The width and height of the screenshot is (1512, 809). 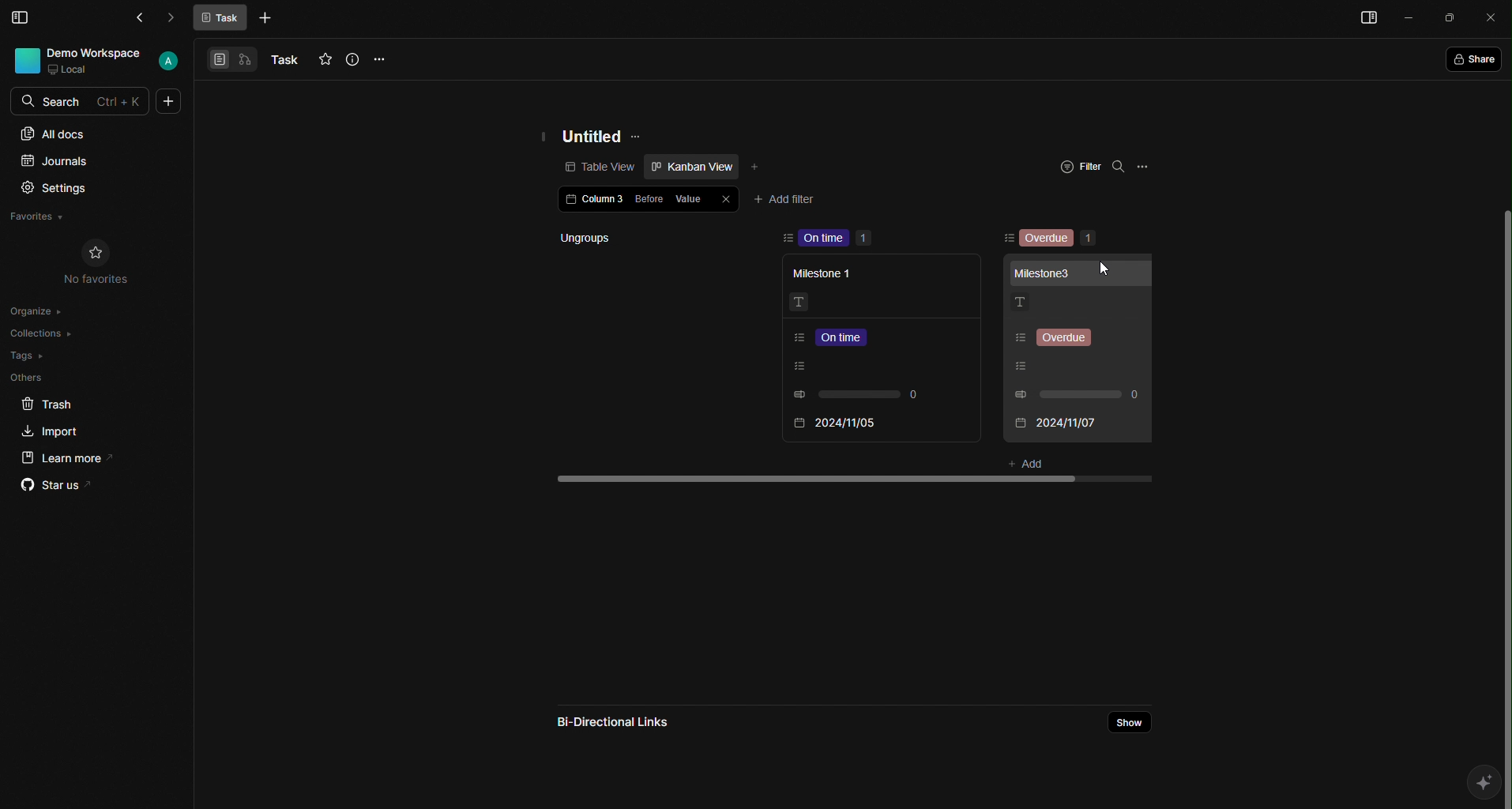 I want to click on Learn more, so click(x=73, y=457).